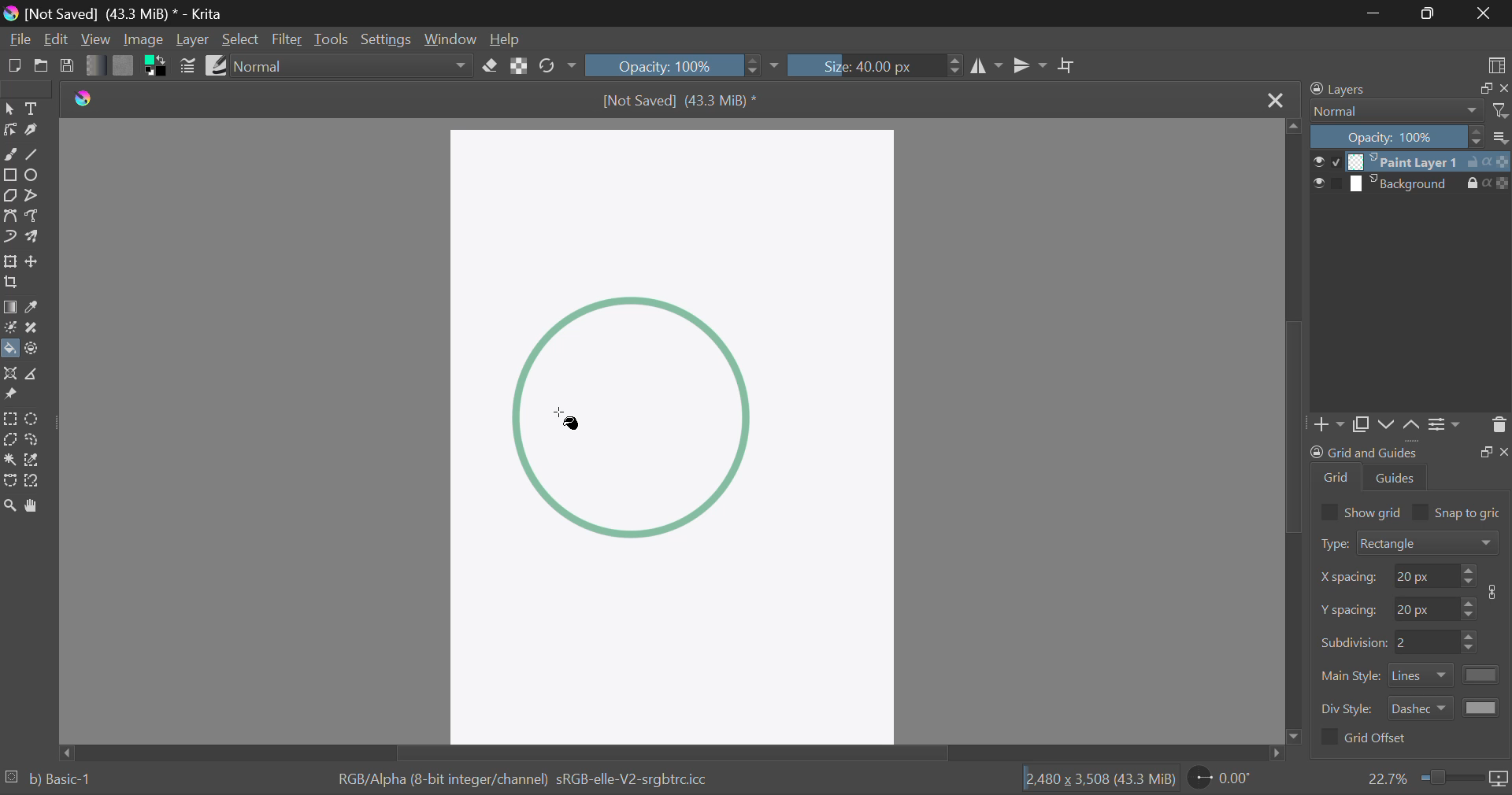  Describe the element at coordinates (11, 307) in the screenshot. I see `Gradient Fill` at that location.